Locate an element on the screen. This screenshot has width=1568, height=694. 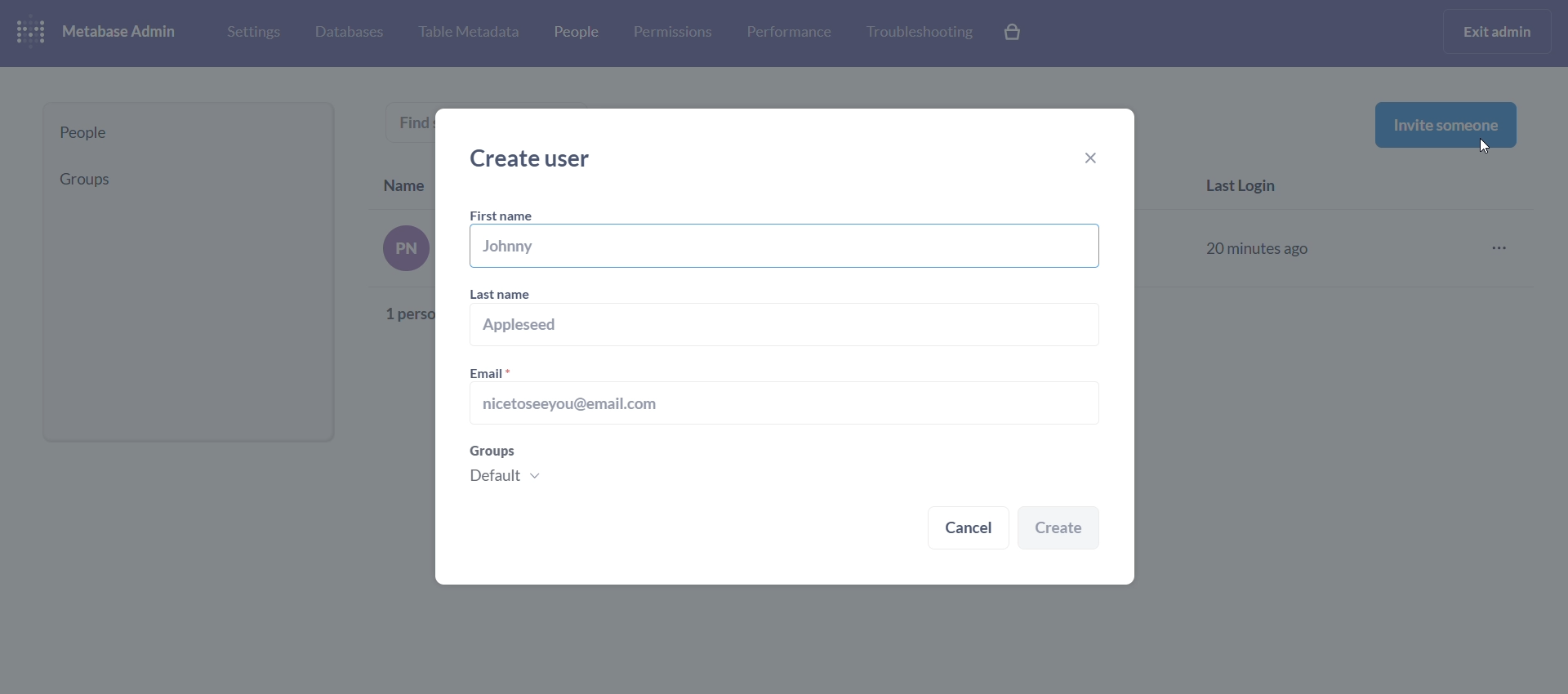
settings is located at coordinates (252, 31).